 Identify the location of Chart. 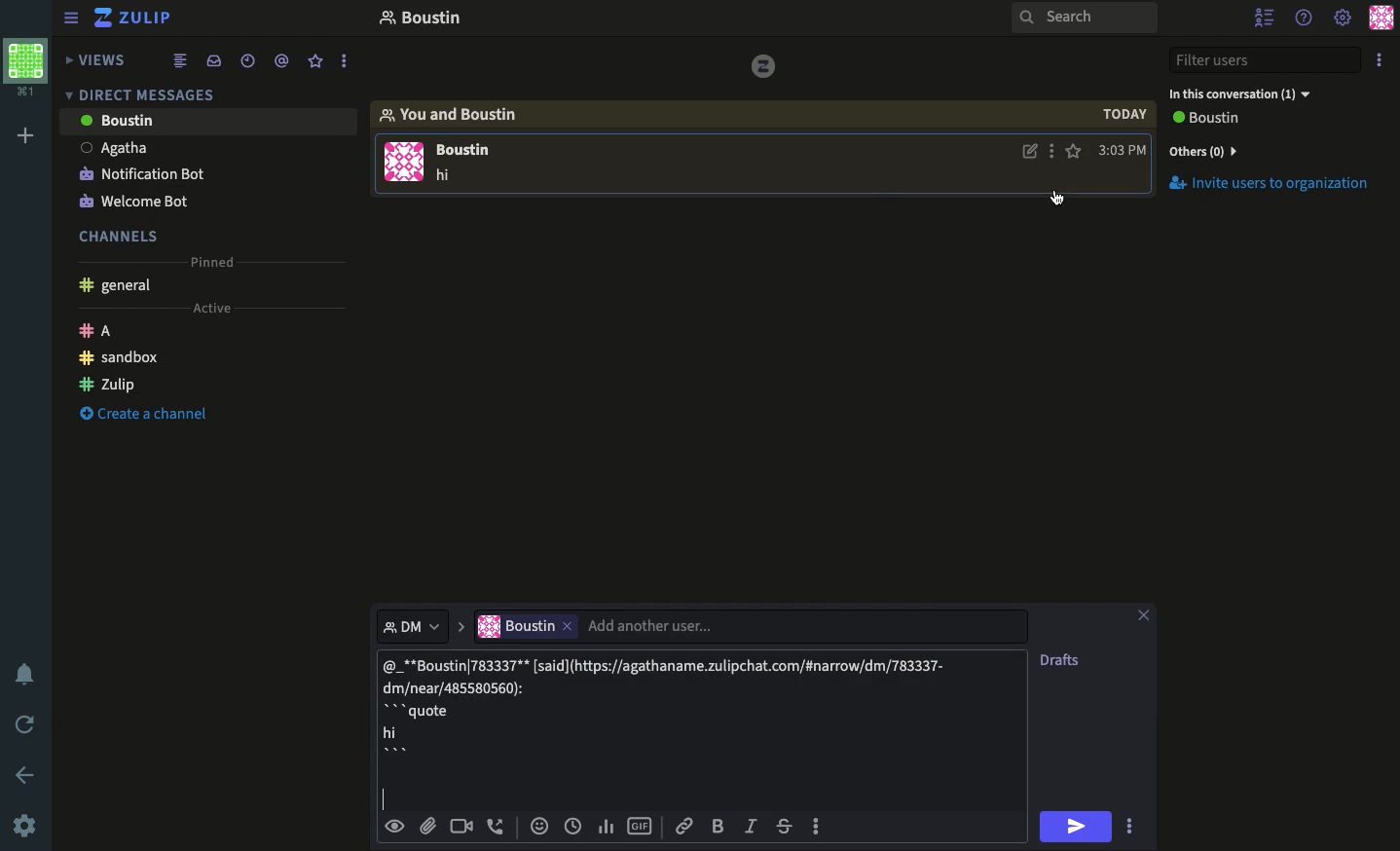
(604, 825).